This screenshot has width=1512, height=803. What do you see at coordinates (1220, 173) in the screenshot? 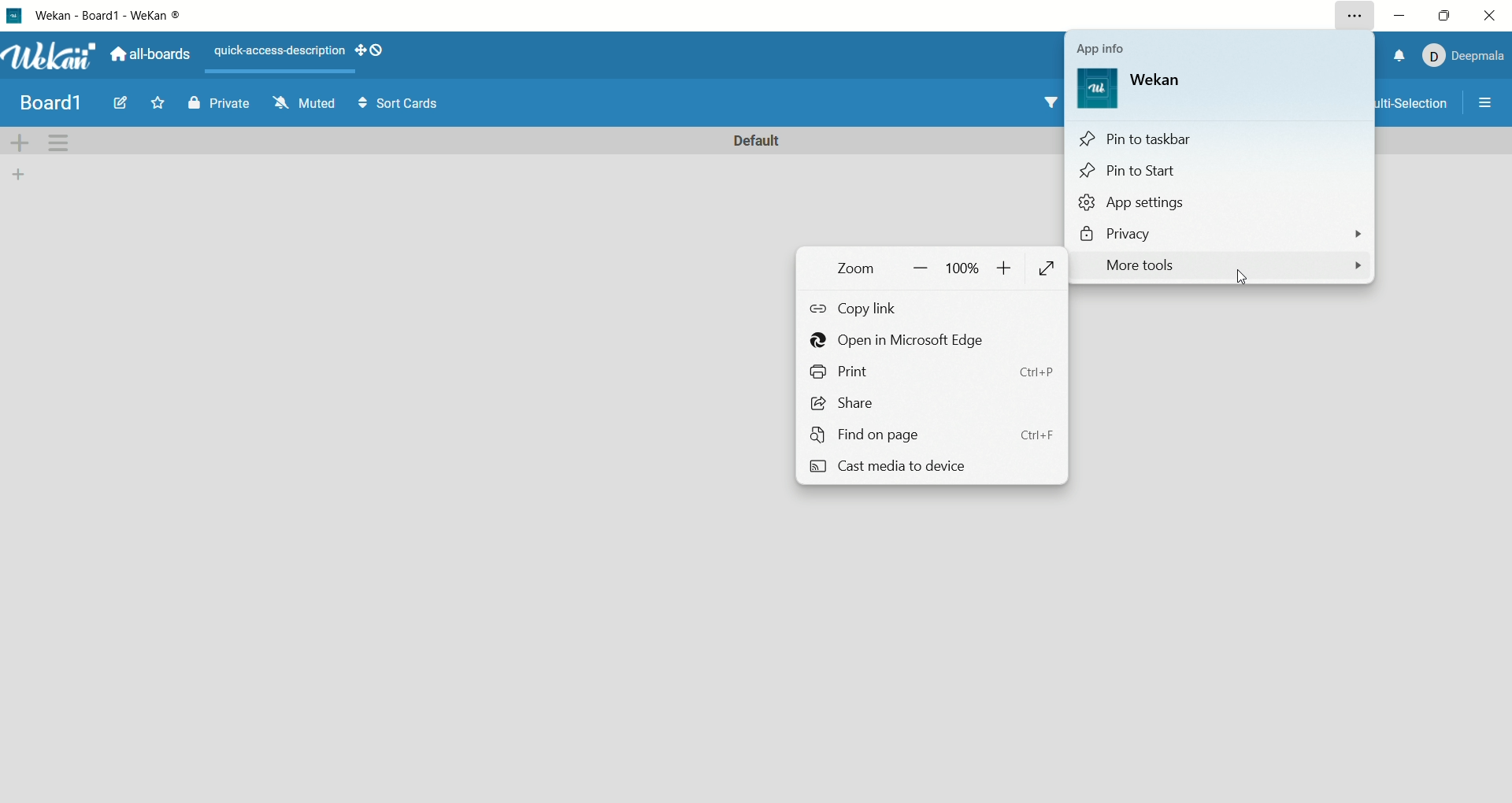
I see `pin to start` at bounding box center [1220, 173].